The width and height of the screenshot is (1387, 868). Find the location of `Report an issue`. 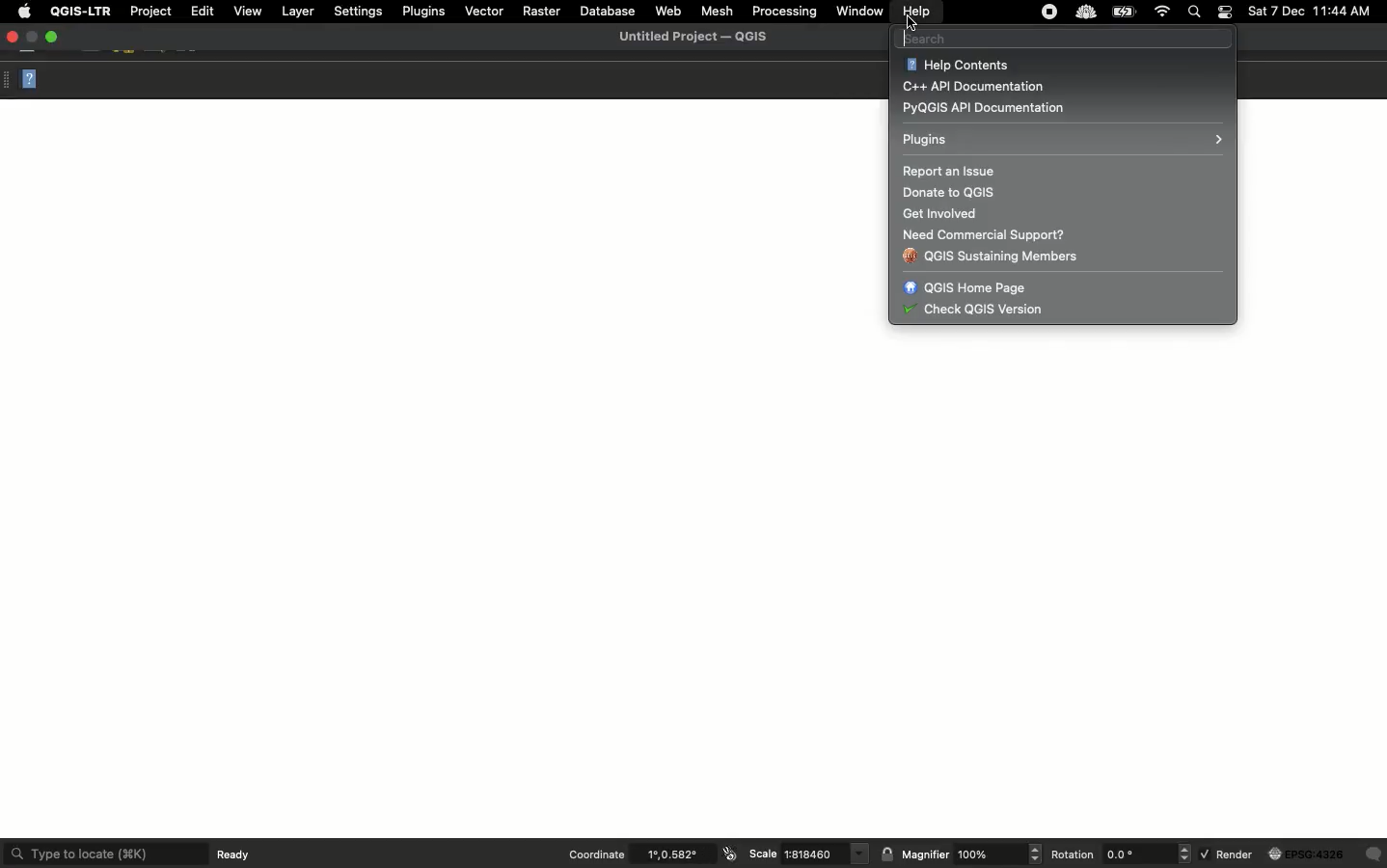

Report an issue is located at coordinates (949, 171).